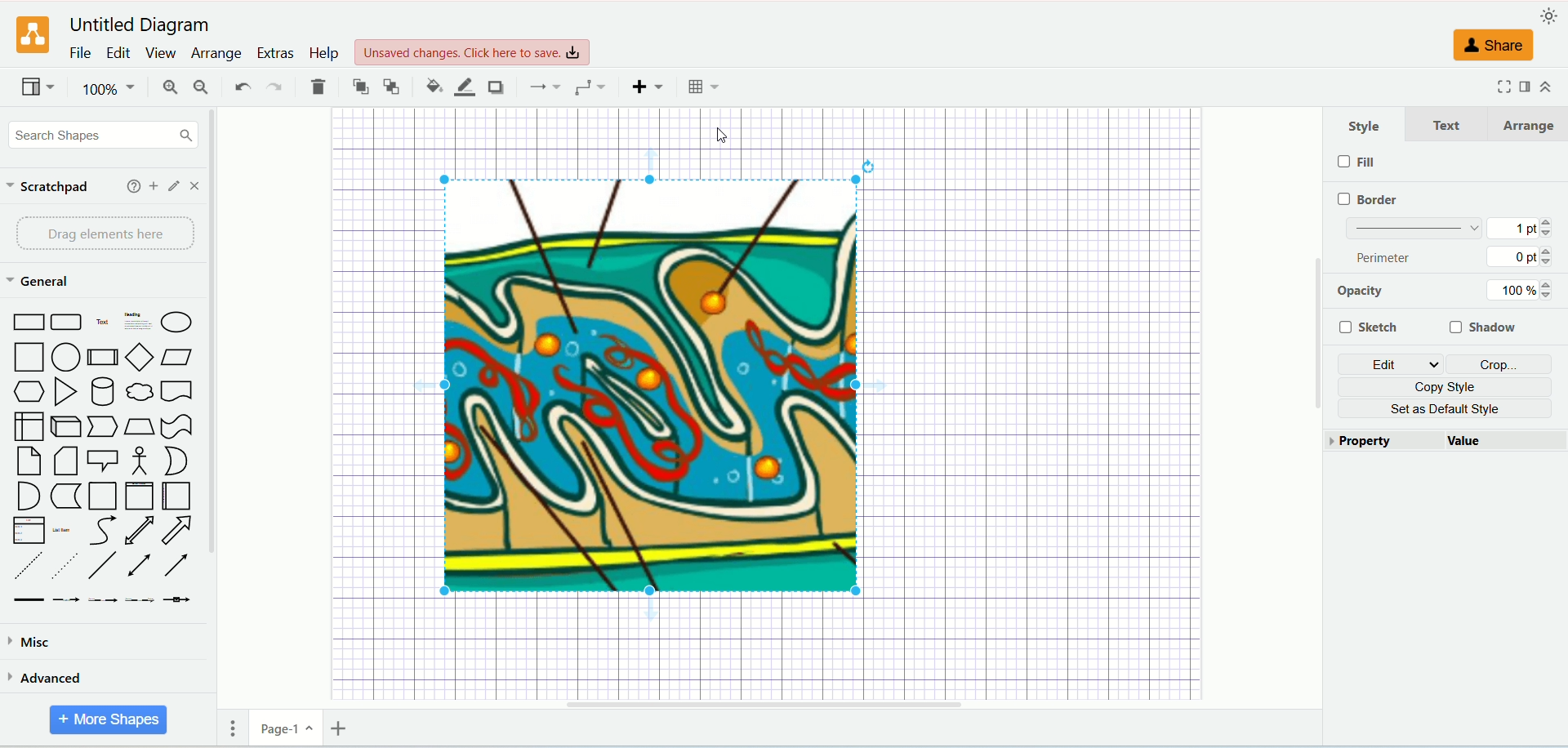 This screenshot has height=748, width=1568. Describe the element at coordinates (154, 185) in the screenshot. I see `add` at that location.